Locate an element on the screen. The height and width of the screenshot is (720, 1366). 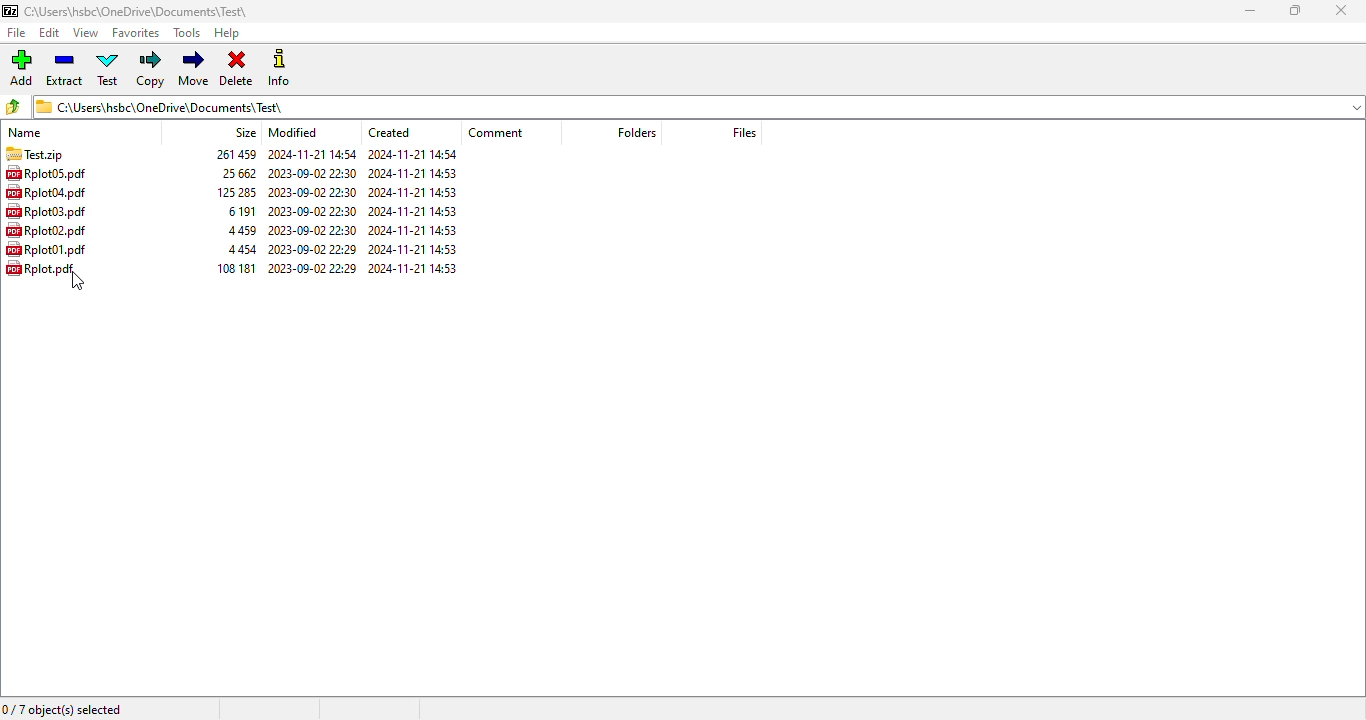
 Rplot.pdf, is located at coordinates (47, 268).